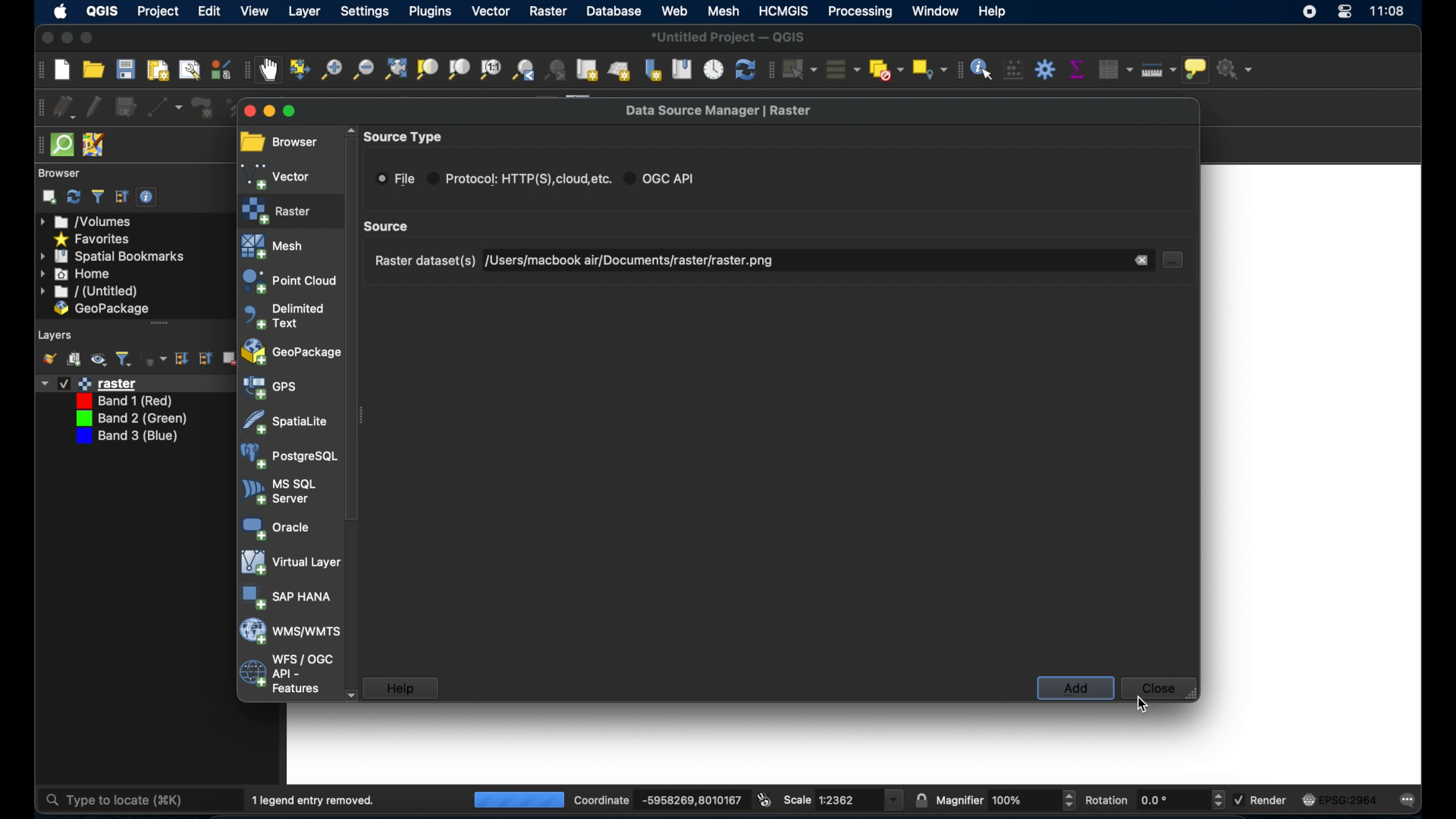  What do you see at coordinates (957, 70) in the screenshot?
I see `attribute toolbar` at bounding box center [957, 70].